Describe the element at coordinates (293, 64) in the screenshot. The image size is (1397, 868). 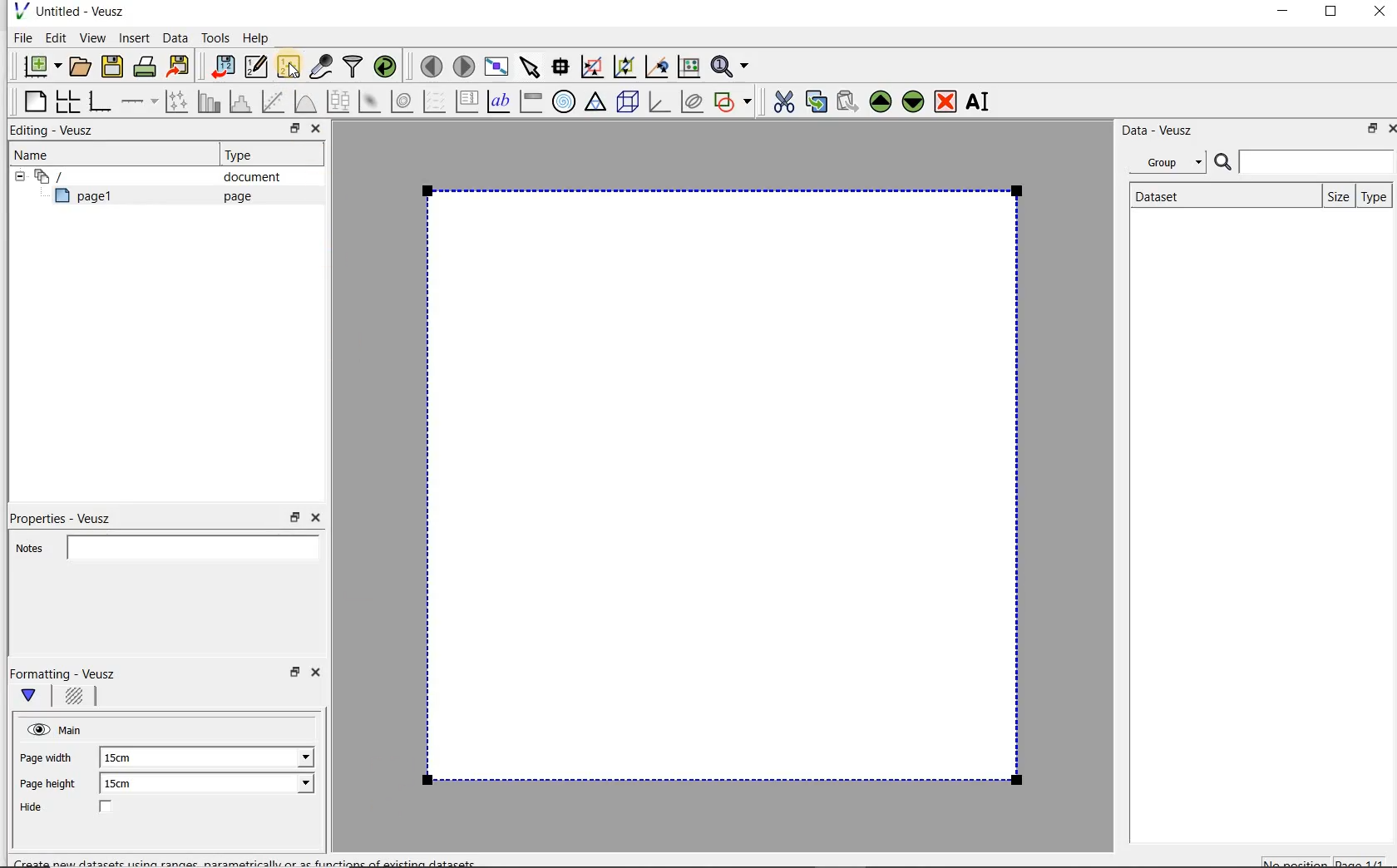
I see `Cursor` at that location.